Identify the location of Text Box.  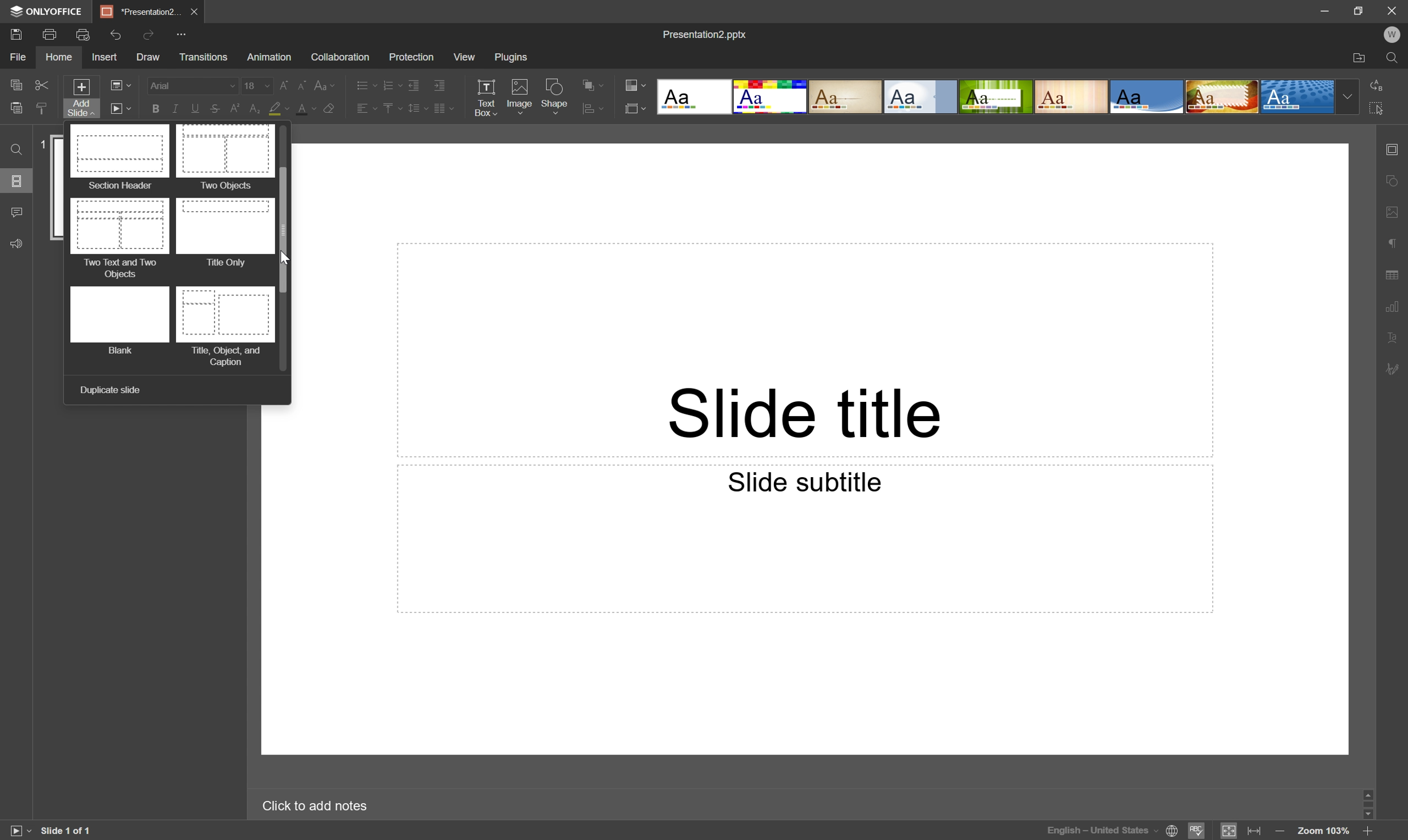
(489, 96).